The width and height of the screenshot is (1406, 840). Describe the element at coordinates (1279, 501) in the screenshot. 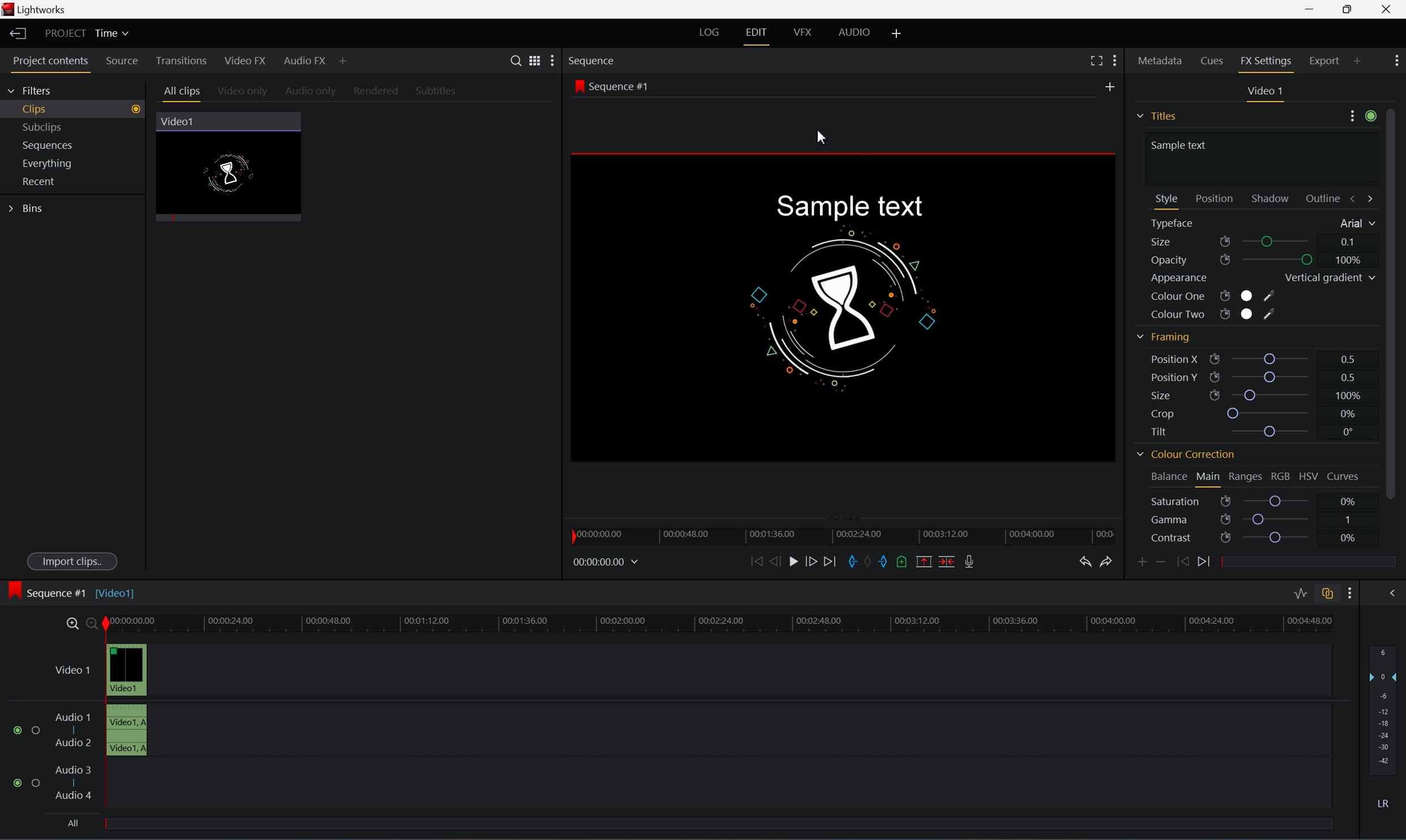

I see `slider` at that location.